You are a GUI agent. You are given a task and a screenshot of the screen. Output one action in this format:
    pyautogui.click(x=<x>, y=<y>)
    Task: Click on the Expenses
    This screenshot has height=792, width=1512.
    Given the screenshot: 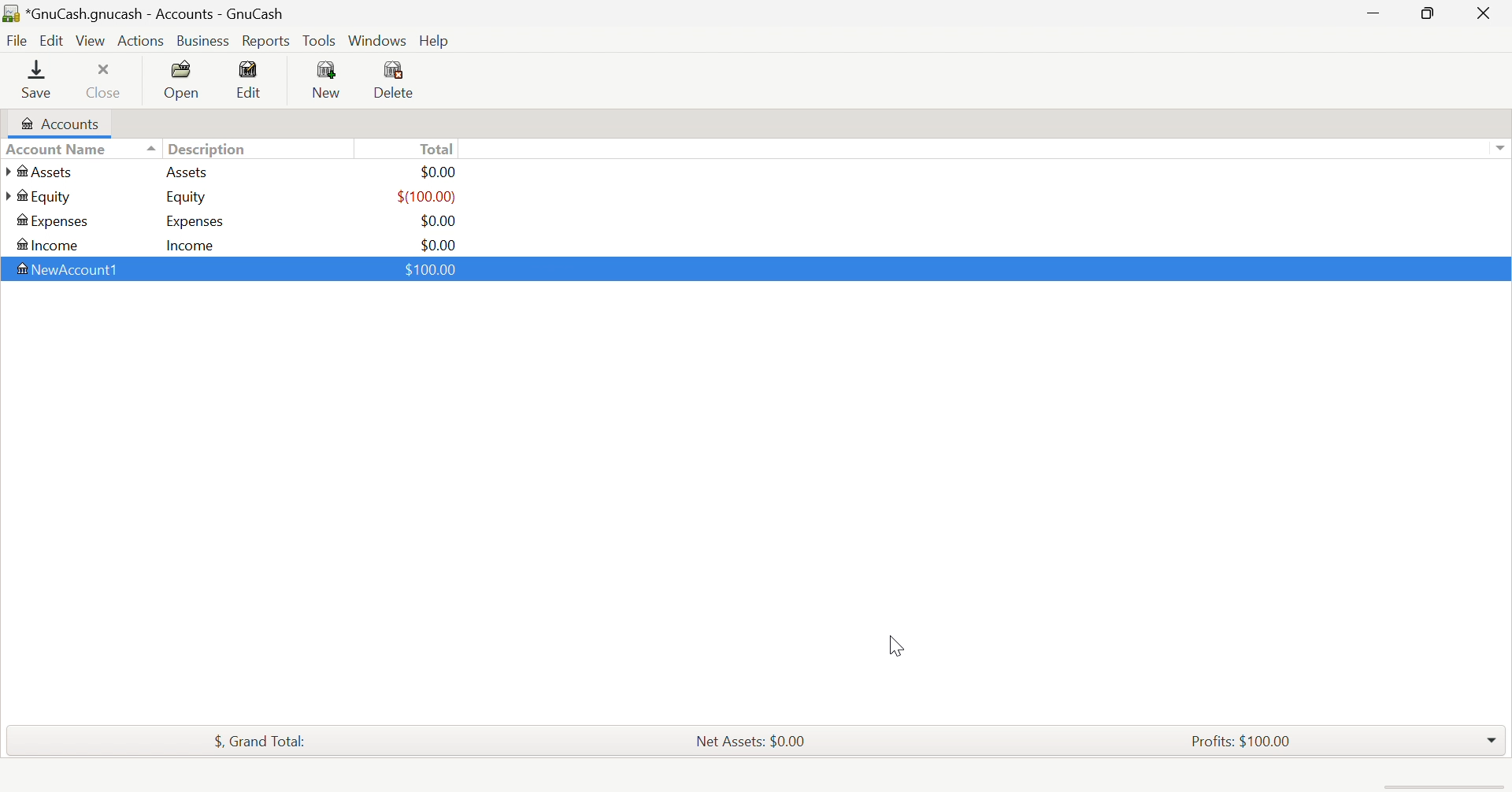 What is the action you would take?
    pyautogui.click(x=193, y=220)
    